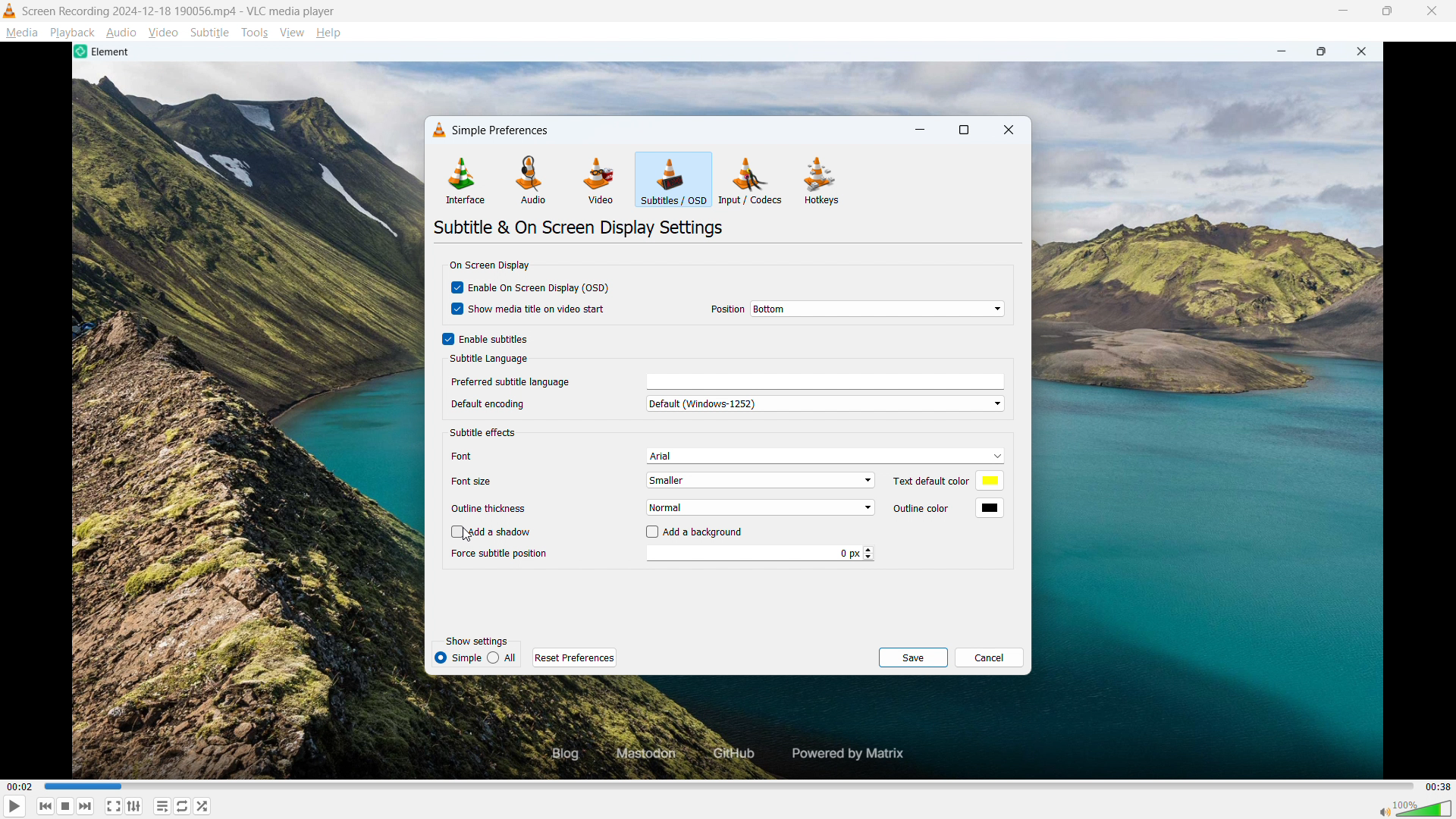 The width and height of the screenshot is (1456, 819). Describe the element at coordinates (761, 553) in the screenshot. I see `0px` at that location.